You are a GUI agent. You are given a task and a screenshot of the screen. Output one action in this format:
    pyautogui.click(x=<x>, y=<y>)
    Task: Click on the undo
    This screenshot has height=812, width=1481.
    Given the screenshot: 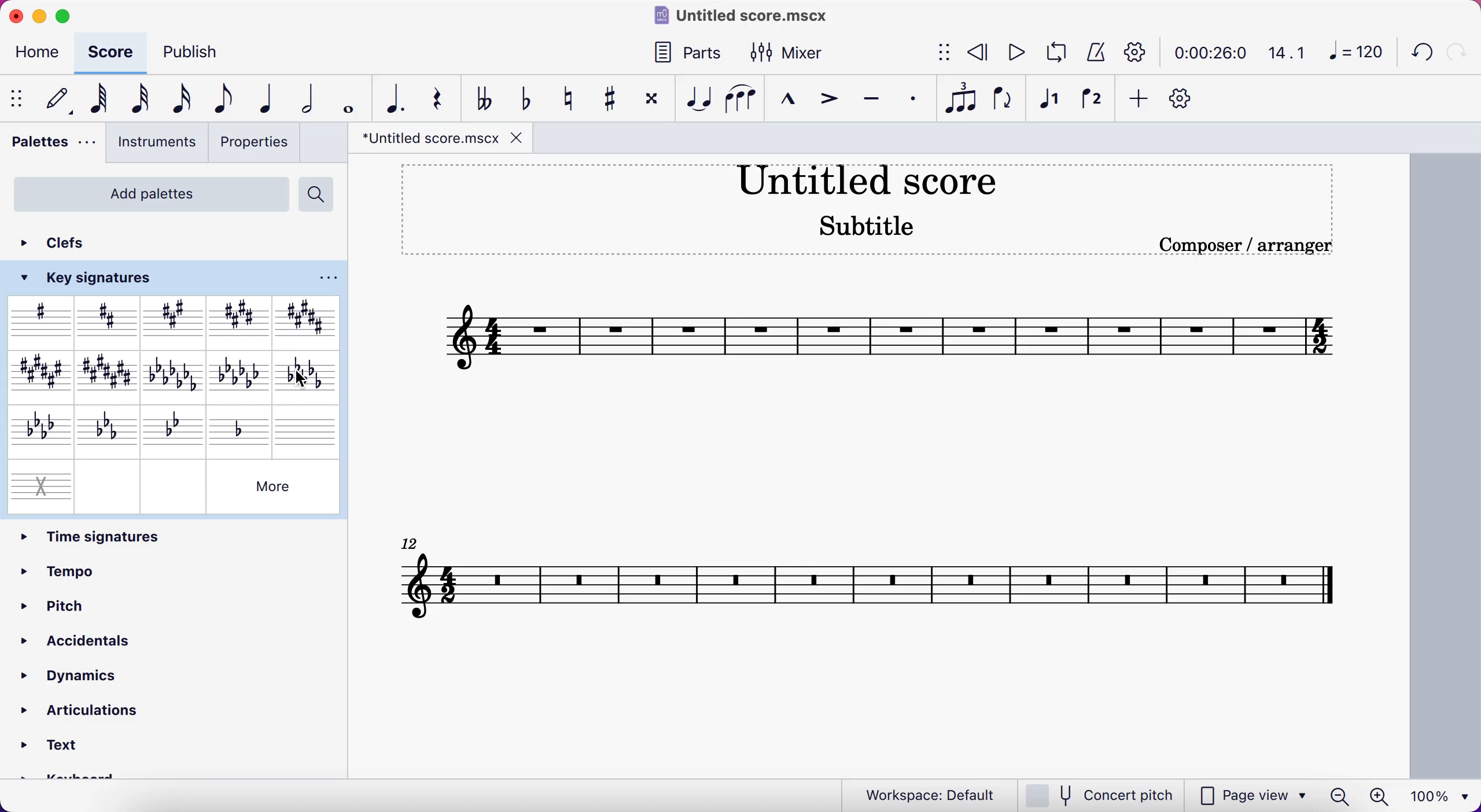 What is the action you would take?
    pyautogui.click(x=1417, y=54)
    